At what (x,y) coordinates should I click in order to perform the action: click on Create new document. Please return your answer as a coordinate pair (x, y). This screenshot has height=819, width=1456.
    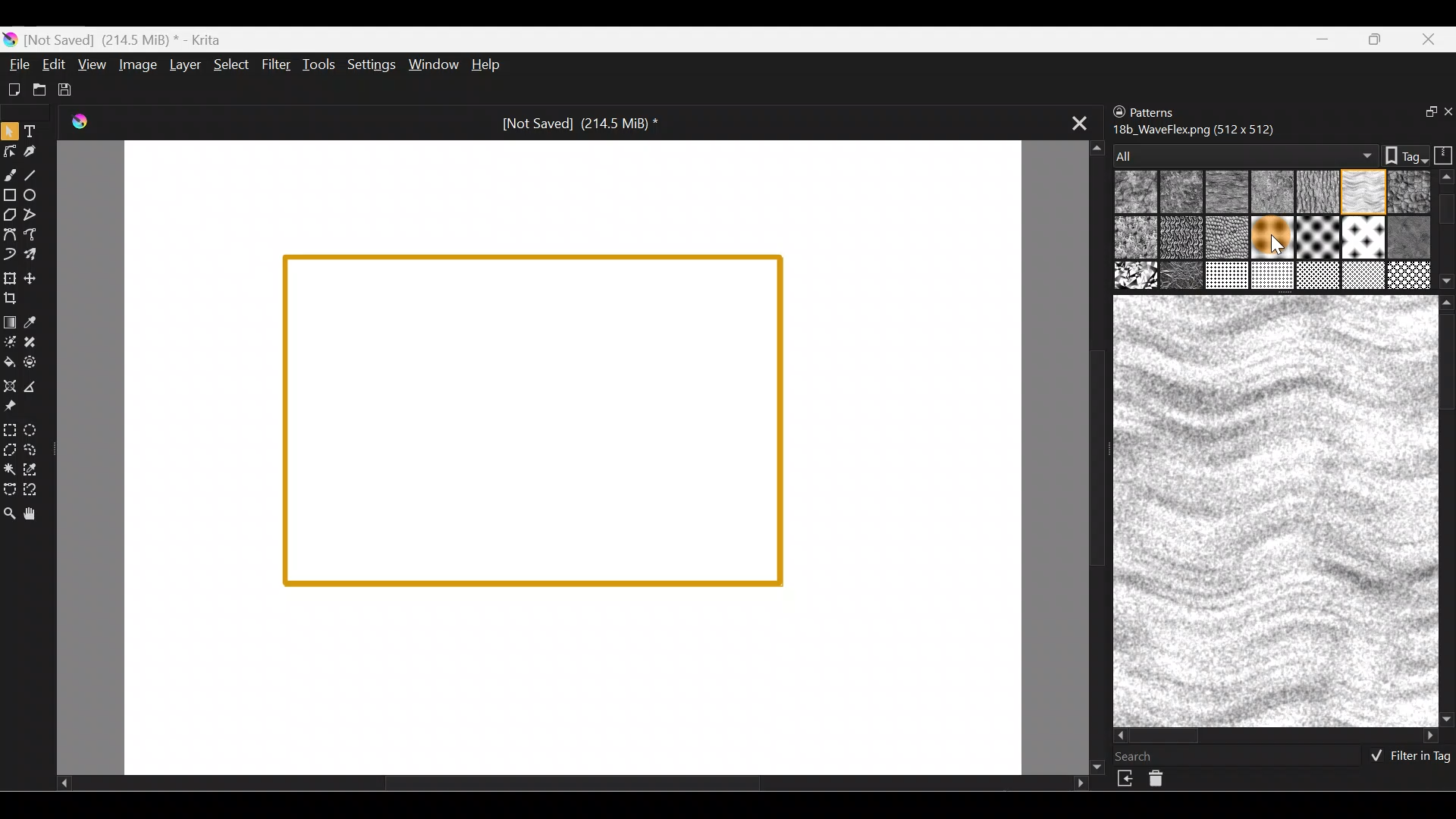
    Looking at the image, I should click on (14, 90).